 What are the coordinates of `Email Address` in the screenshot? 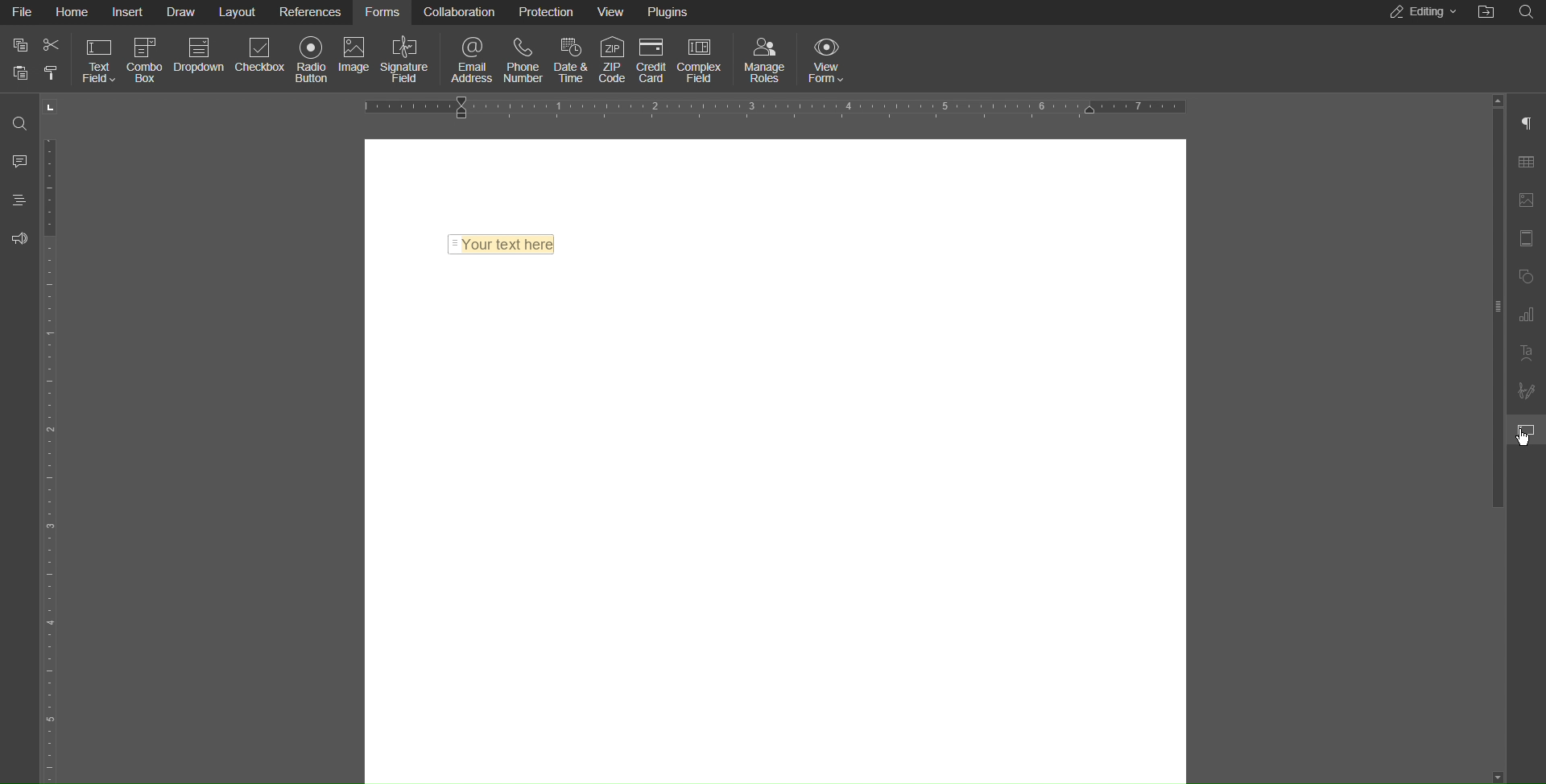 It's located at (473, 62).